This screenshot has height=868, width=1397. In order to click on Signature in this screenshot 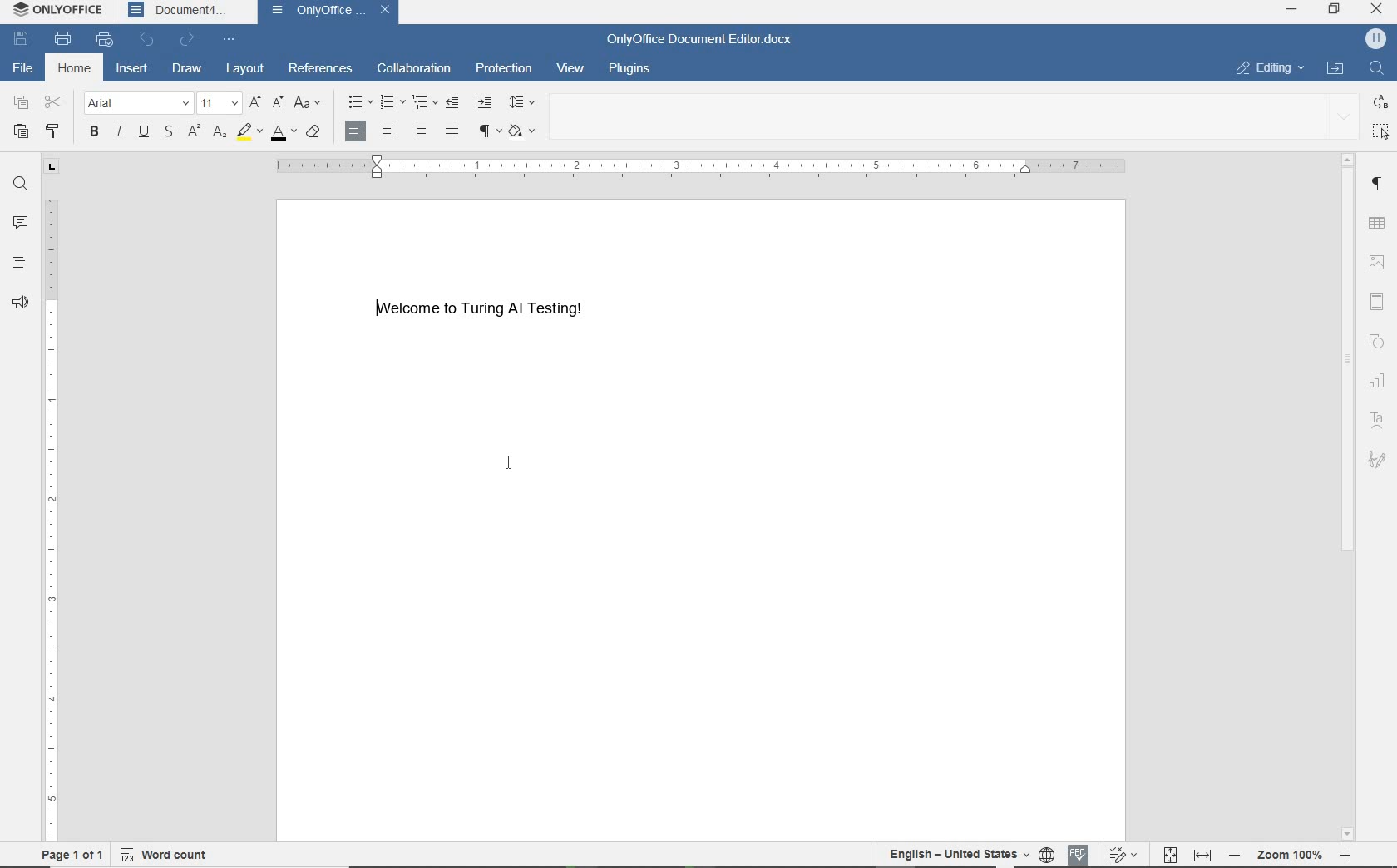, I will do `click(1380, 463)`.